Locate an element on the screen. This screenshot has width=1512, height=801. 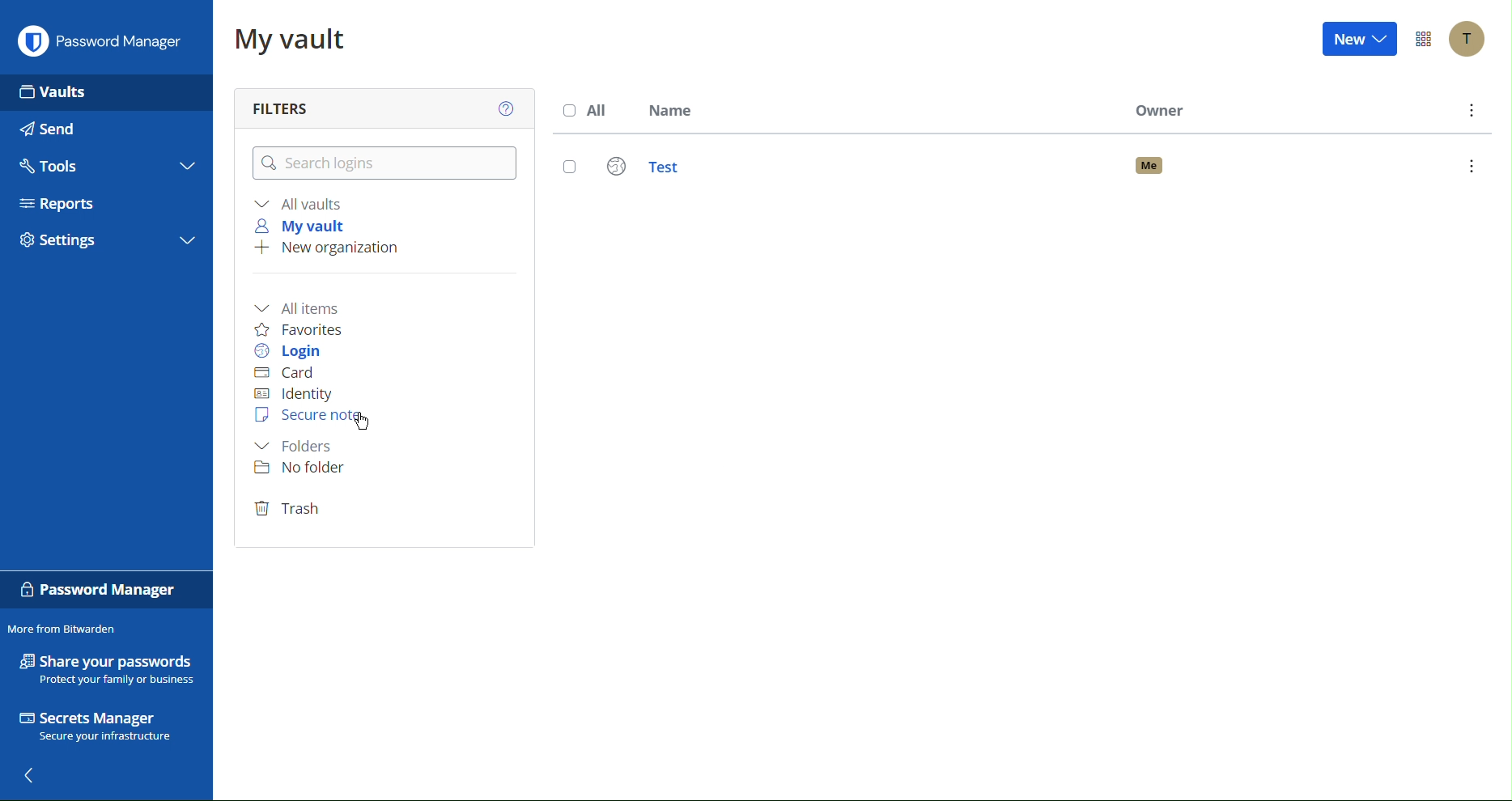
New is located at coordinates (1357, 41).